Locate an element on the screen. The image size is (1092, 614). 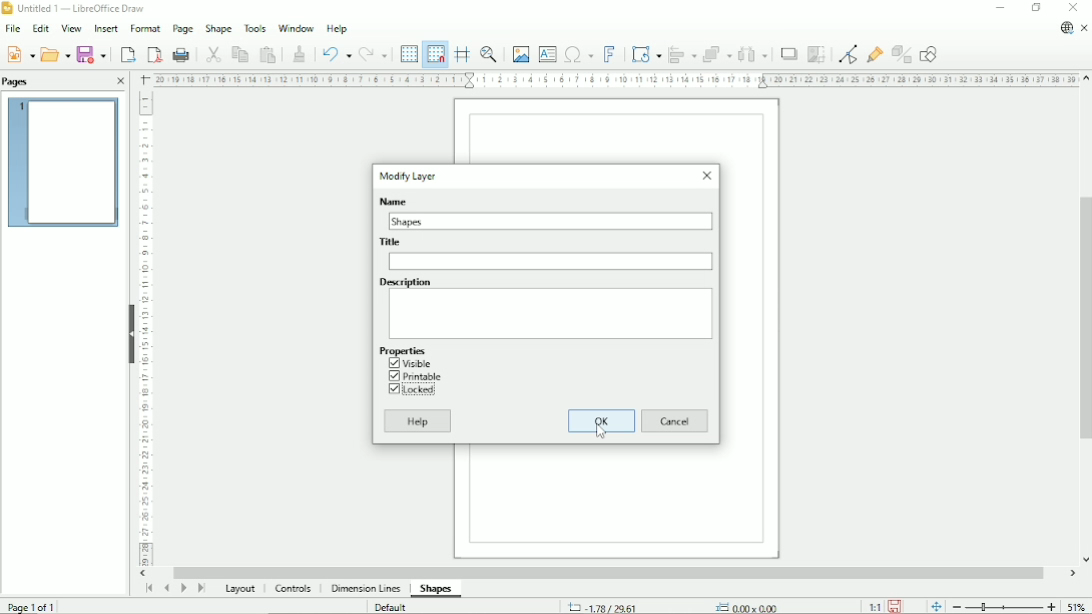
Description is located at coordinates (552, 313).